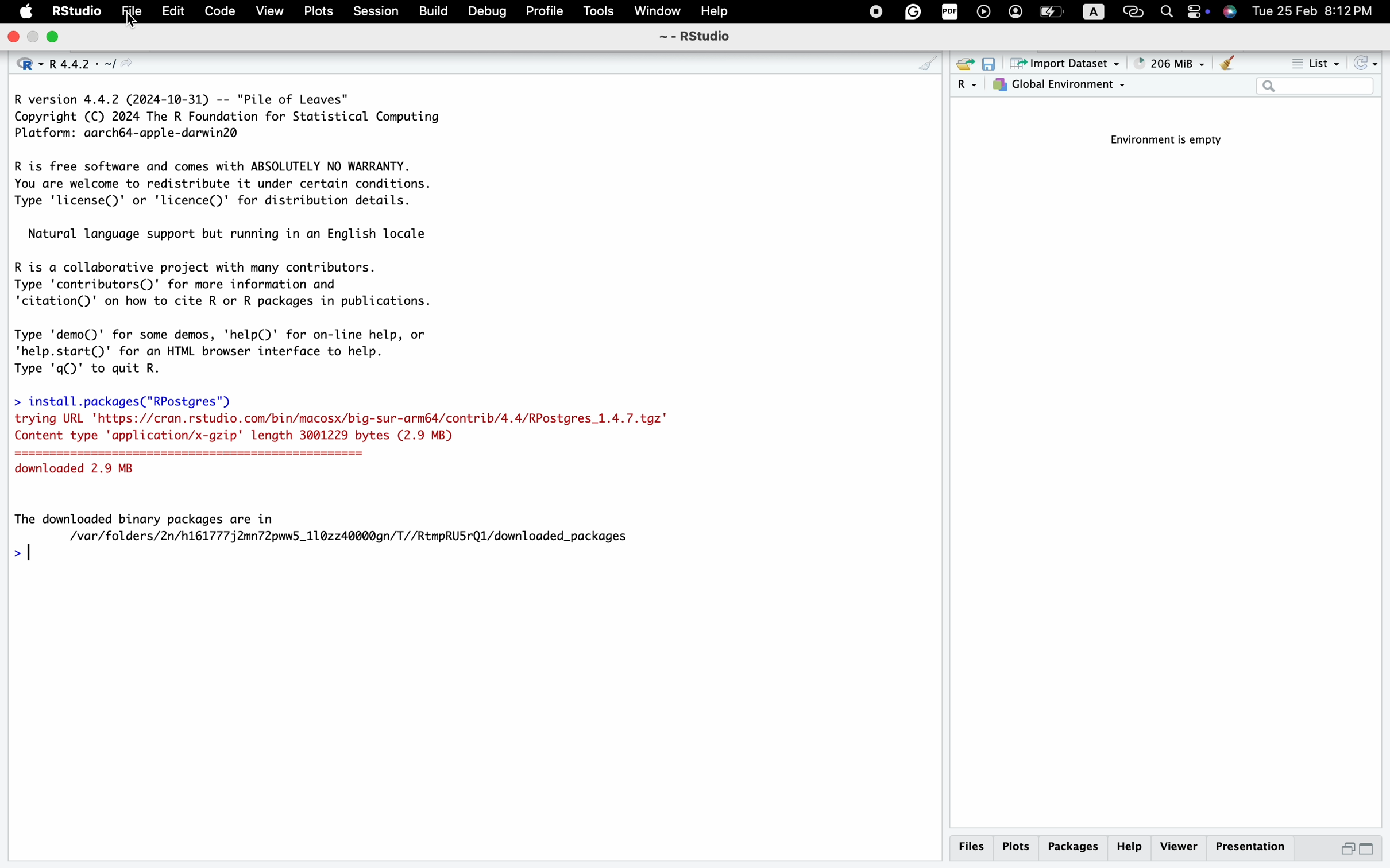 The height and width of the screenshot is (868, 1390). What do you see at coordinates (23, 12) in the screenshot?
I see `apple logo` at bounding box center [23, 12].